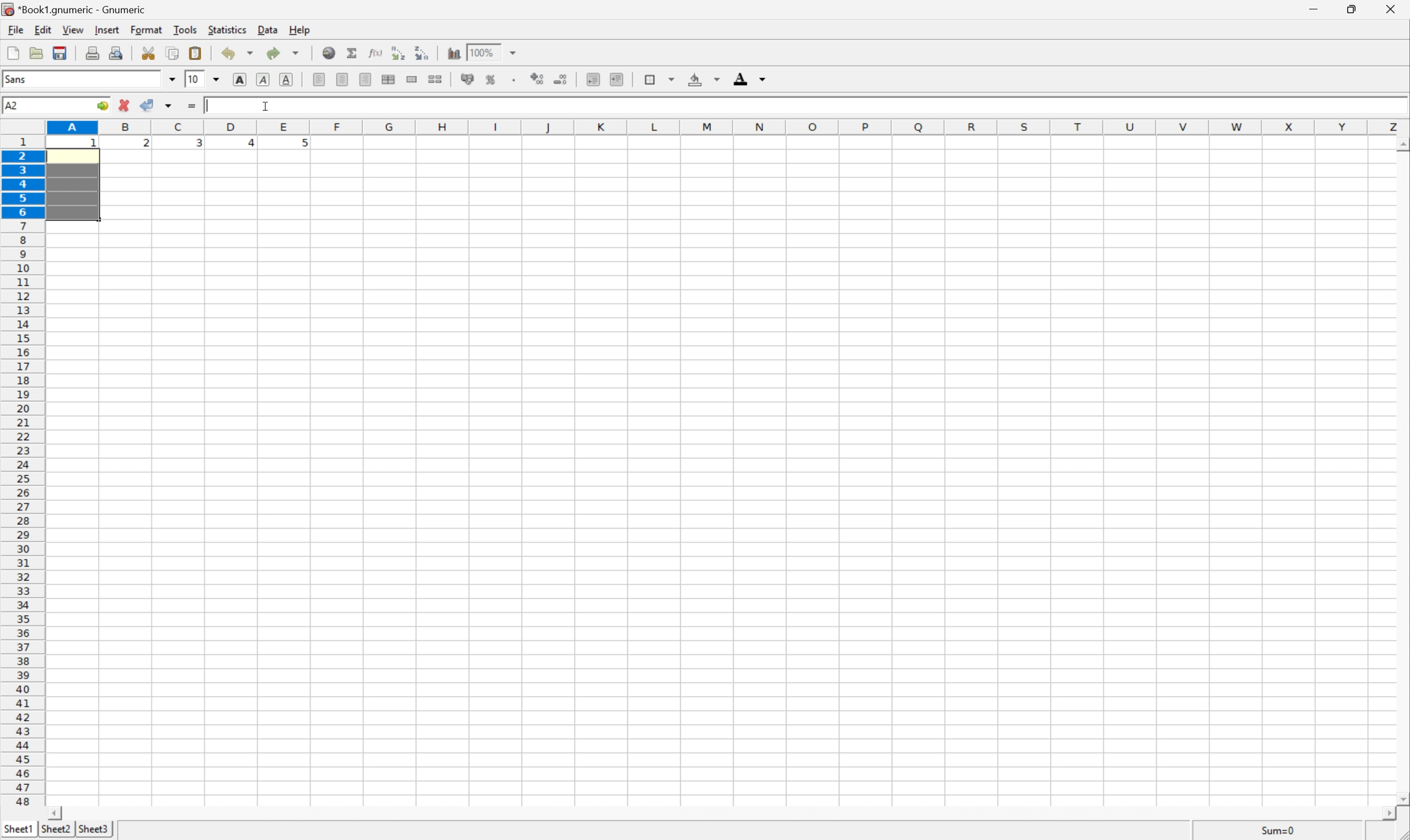 The height and width of the screenshot is (840, 1410). I want to click on scroll down, so click(1401, 794).